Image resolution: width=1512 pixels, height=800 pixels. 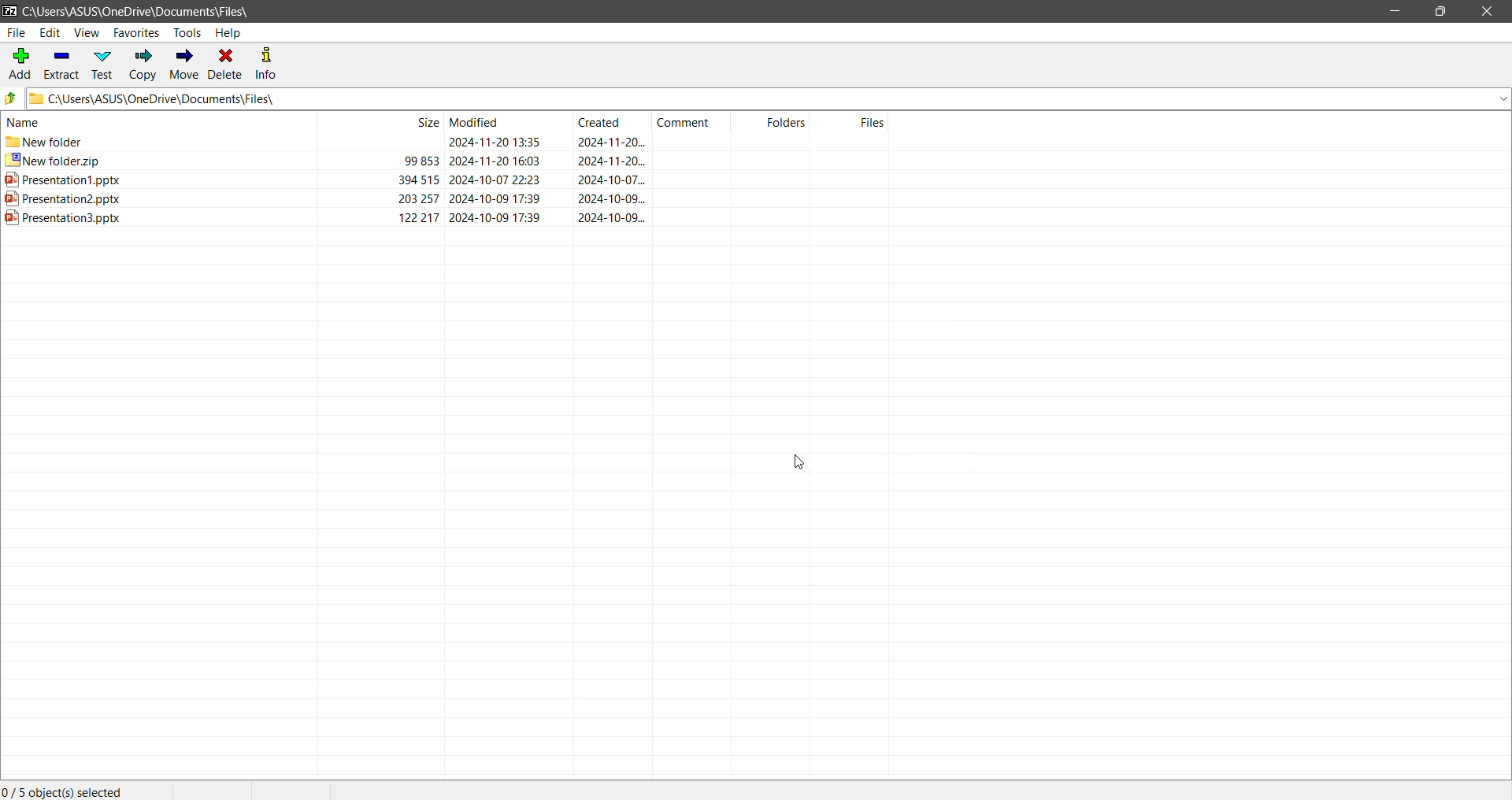 I want to click on Tools, so click(x=187, y=32).